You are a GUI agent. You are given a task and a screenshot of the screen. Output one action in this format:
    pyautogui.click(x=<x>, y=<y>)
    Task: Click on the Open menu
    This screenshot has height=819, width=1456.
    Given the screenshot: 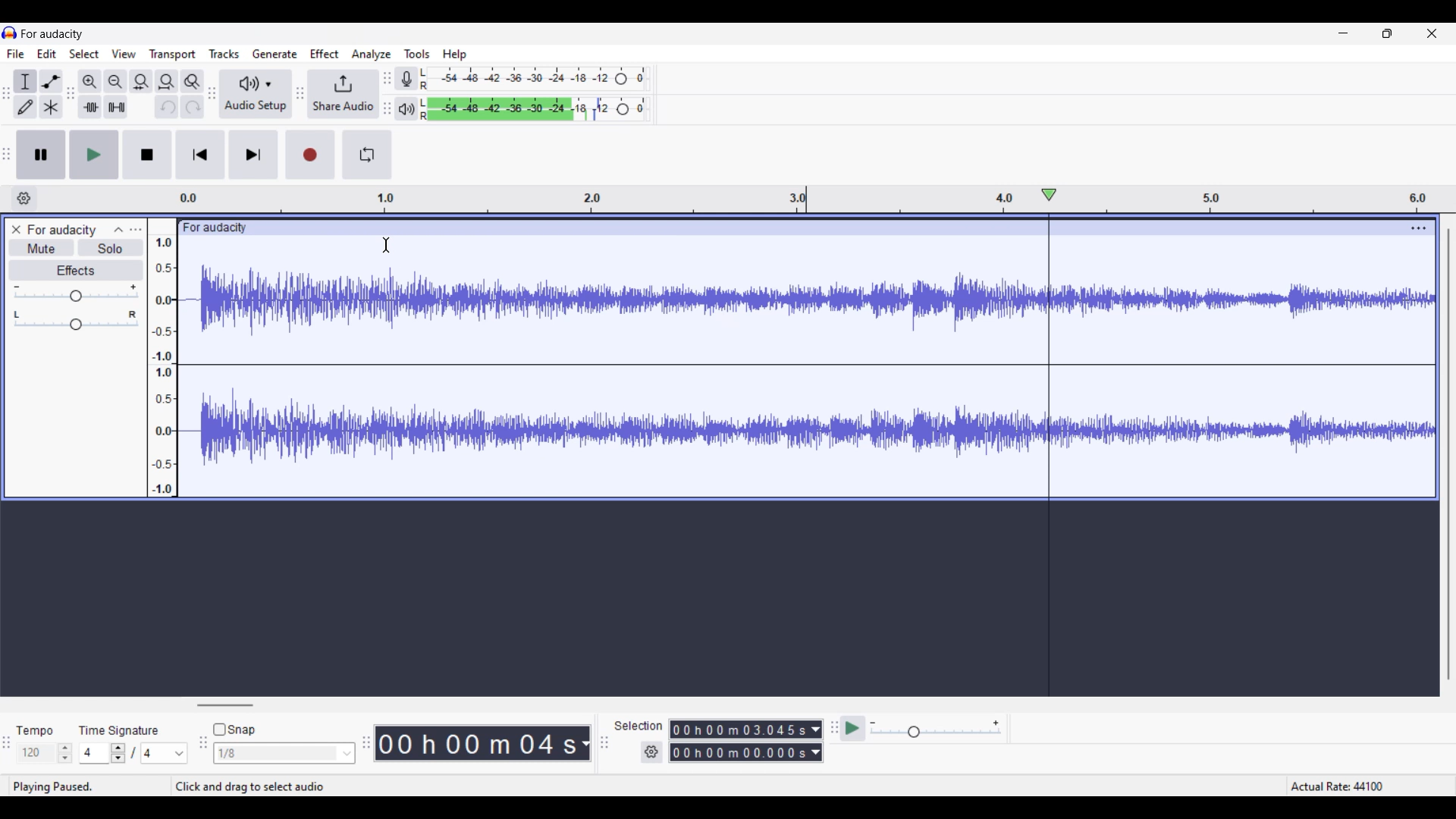 What is the action you would take?
    pyautogui.click(x=136, y=230)
    